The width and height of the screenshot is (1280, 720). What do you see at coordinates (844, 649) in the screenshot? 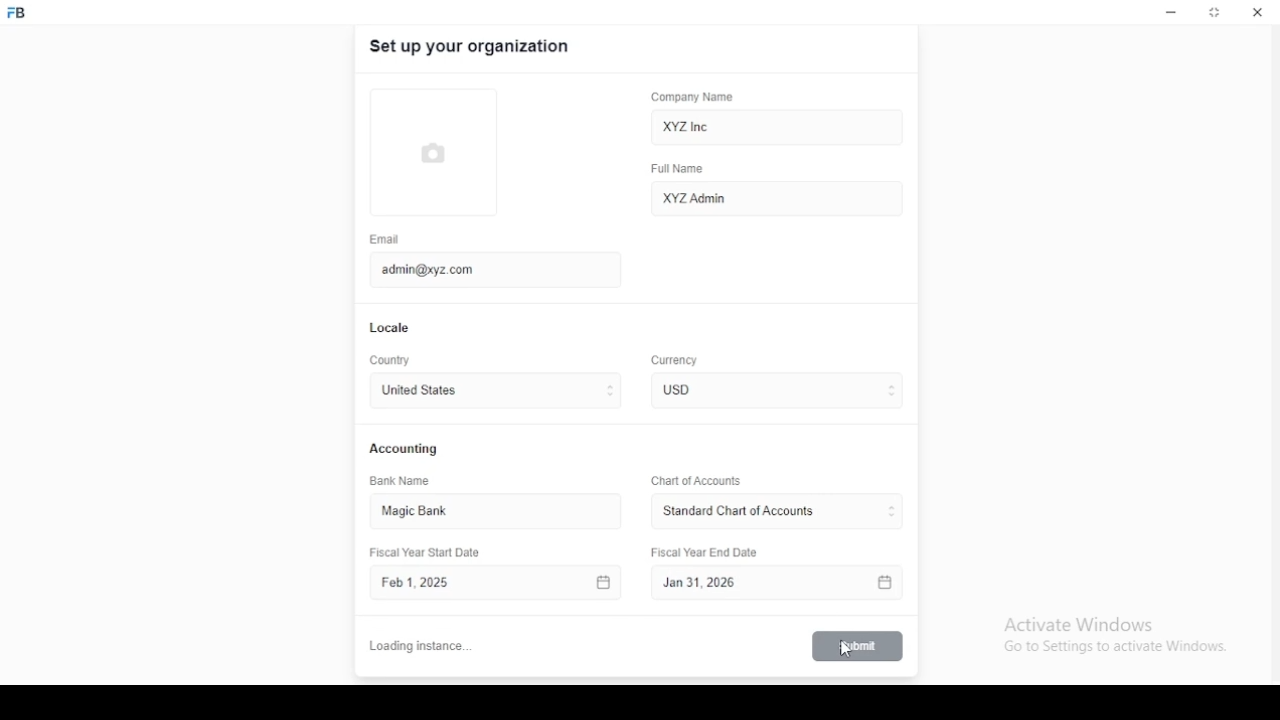
I see `mouse pointer` at bounding box center [844, 649].